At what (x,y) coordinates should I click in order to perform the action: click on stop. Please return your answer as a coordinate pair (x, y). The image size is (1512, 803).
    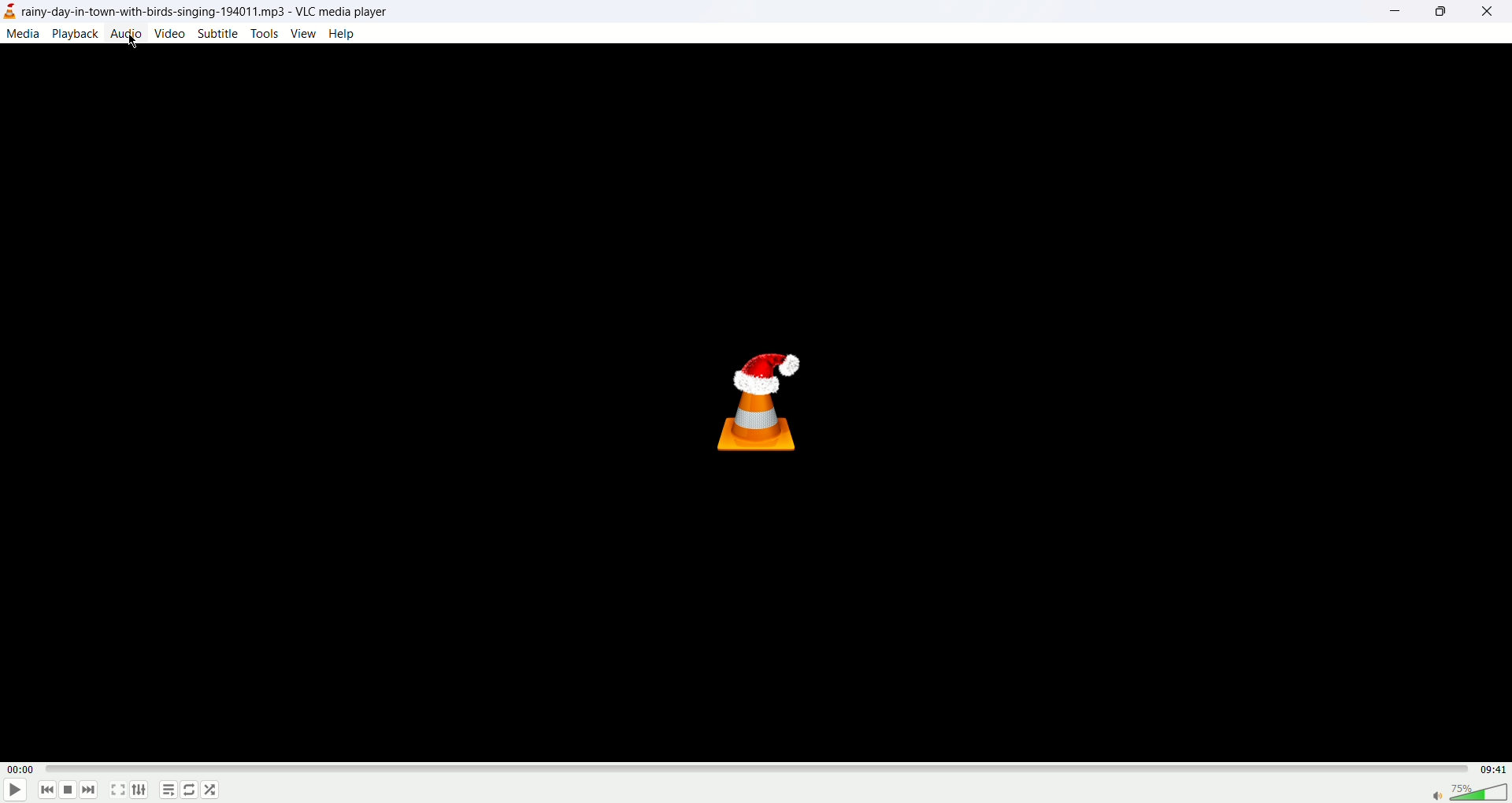
    Looking at the image, I should click on (69, 790).